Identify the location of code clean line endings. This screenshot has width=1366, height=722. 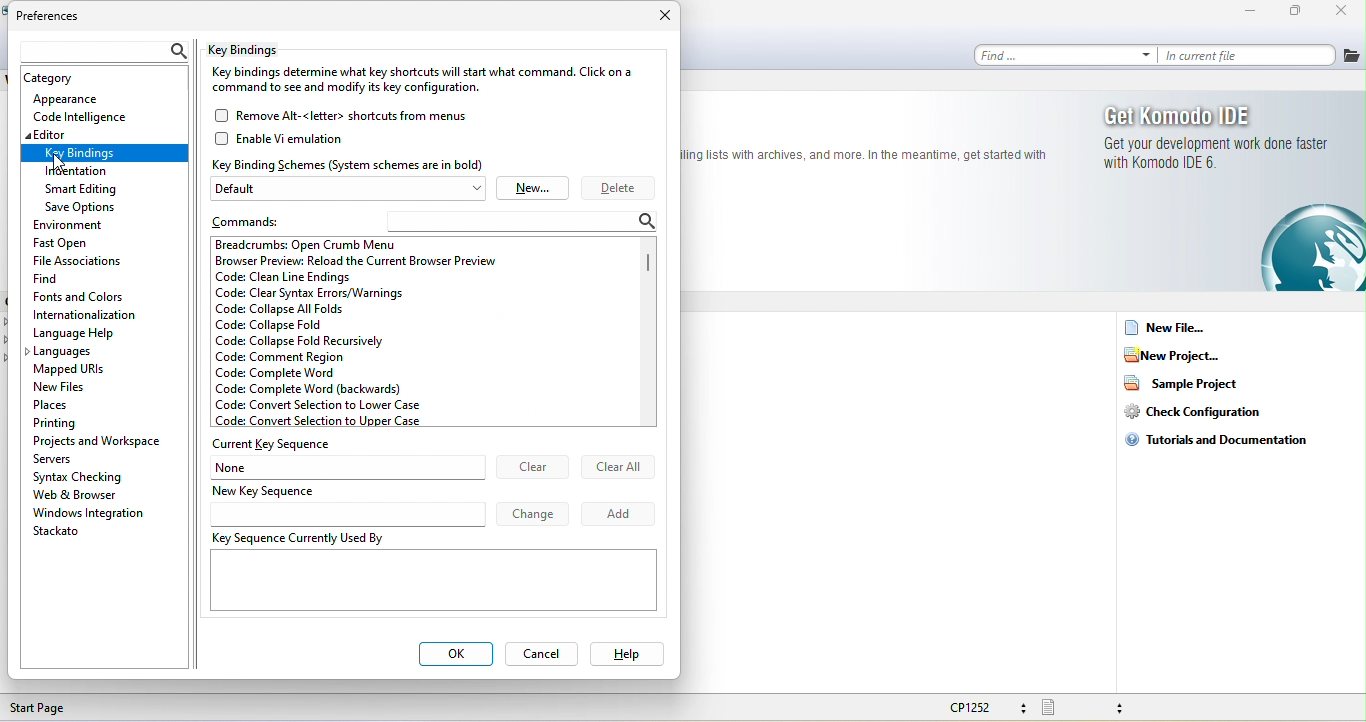
(286, 278).